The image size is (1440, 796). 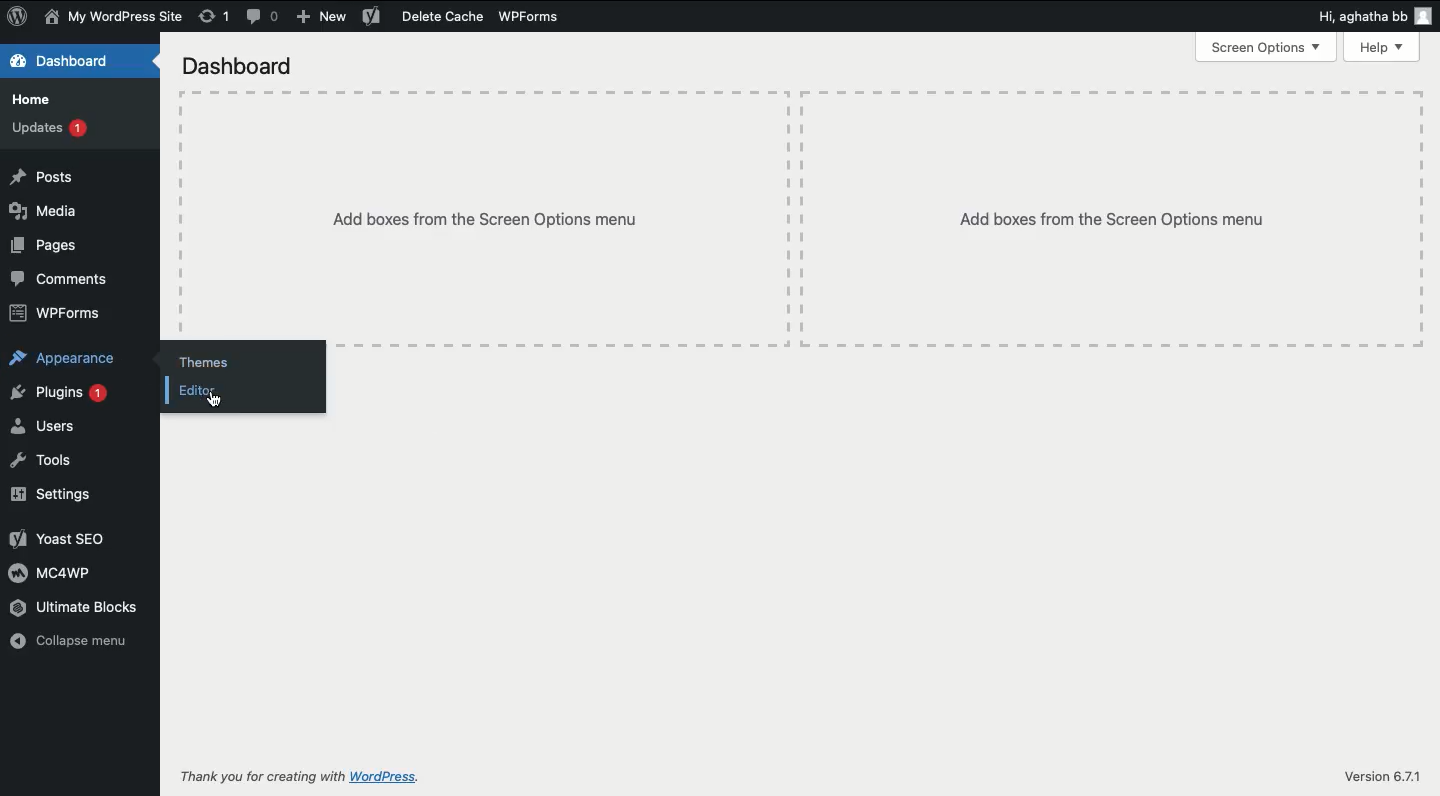 I want to click on logo, so click(x=20, y=17).